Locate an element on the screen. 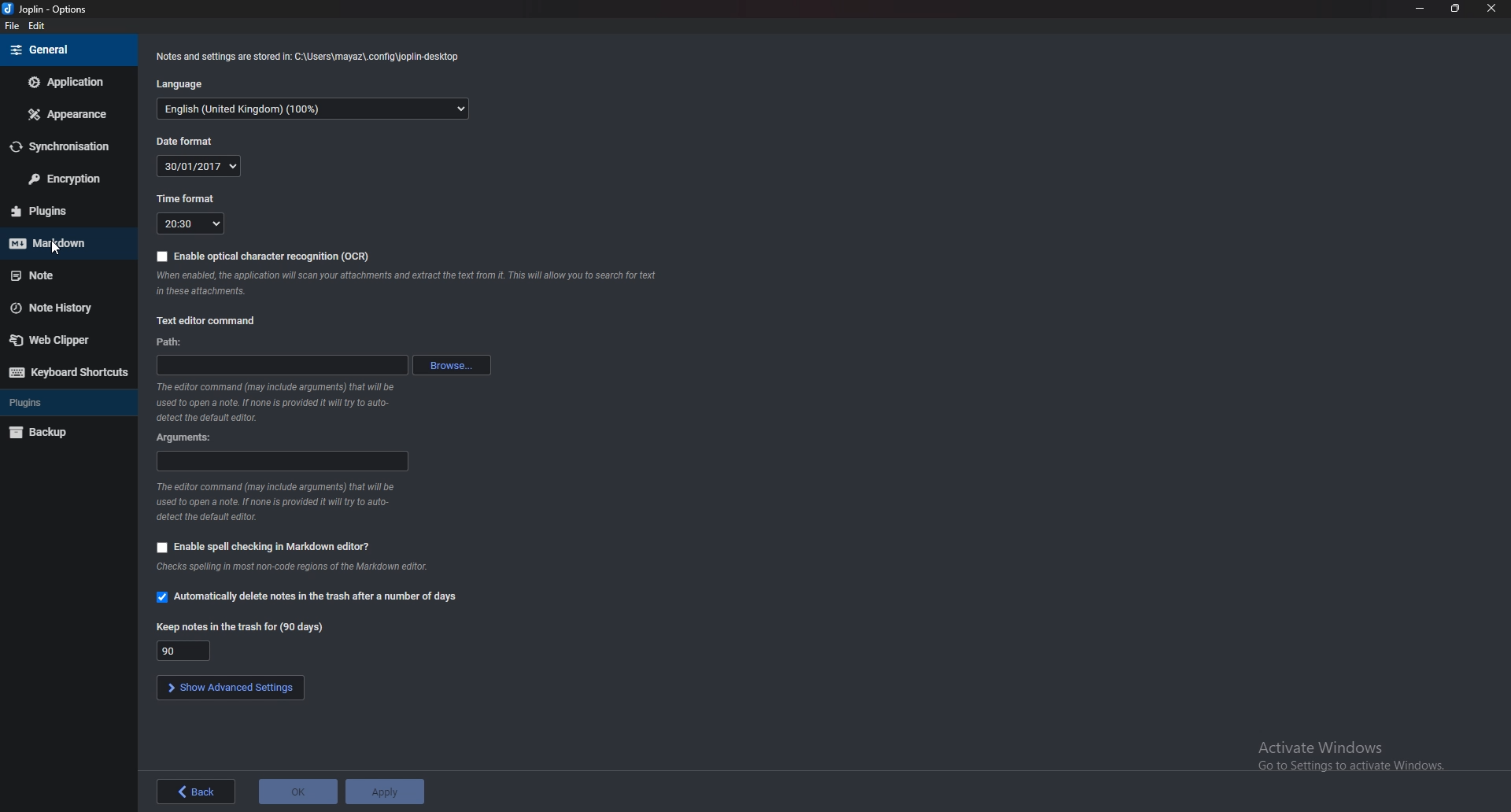 This screenshot has width=1511, height=812. Arguments is located at coordinates (283, 460).